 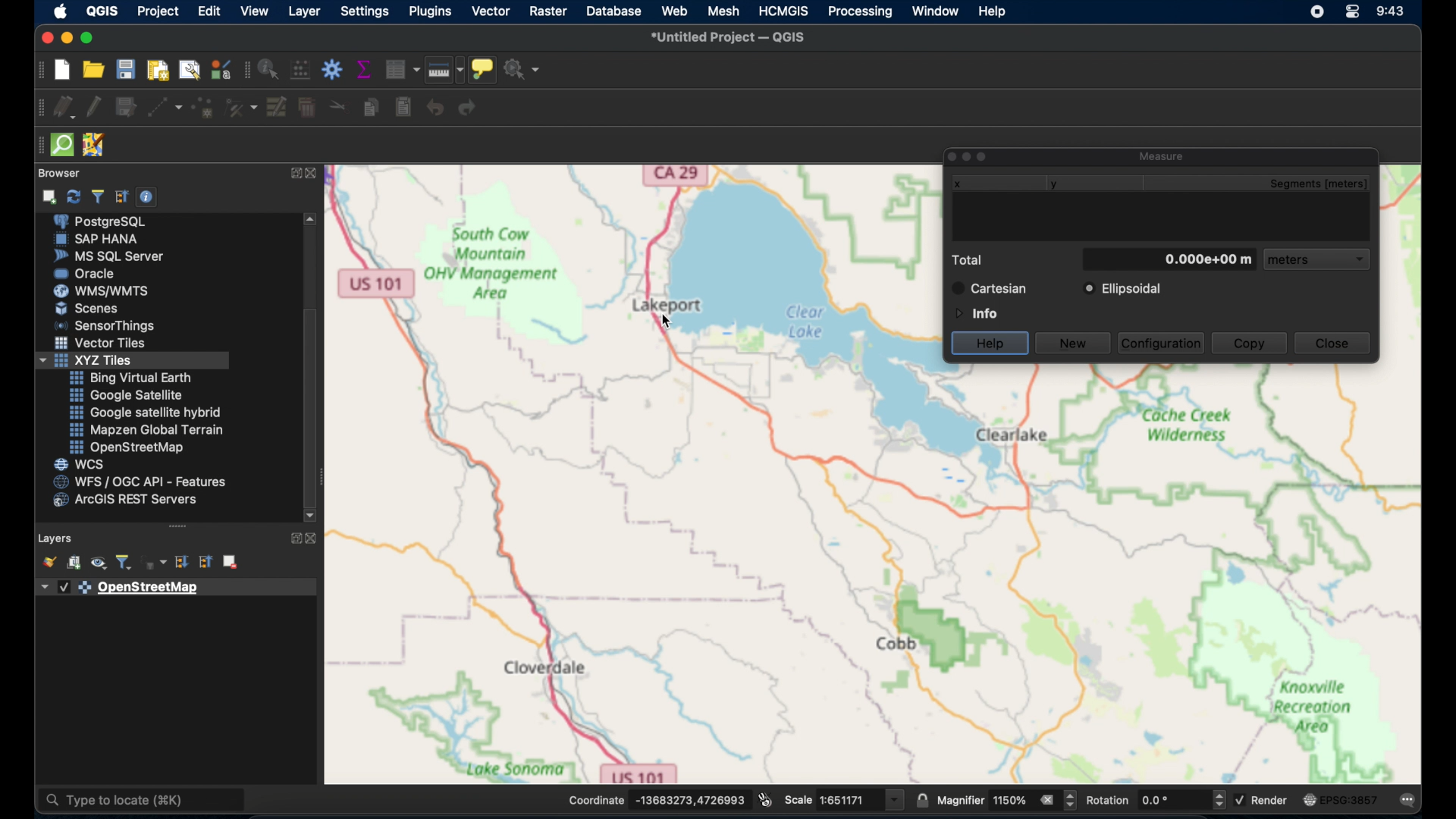 I want to click on lock scale, so click(x=921, y=801).